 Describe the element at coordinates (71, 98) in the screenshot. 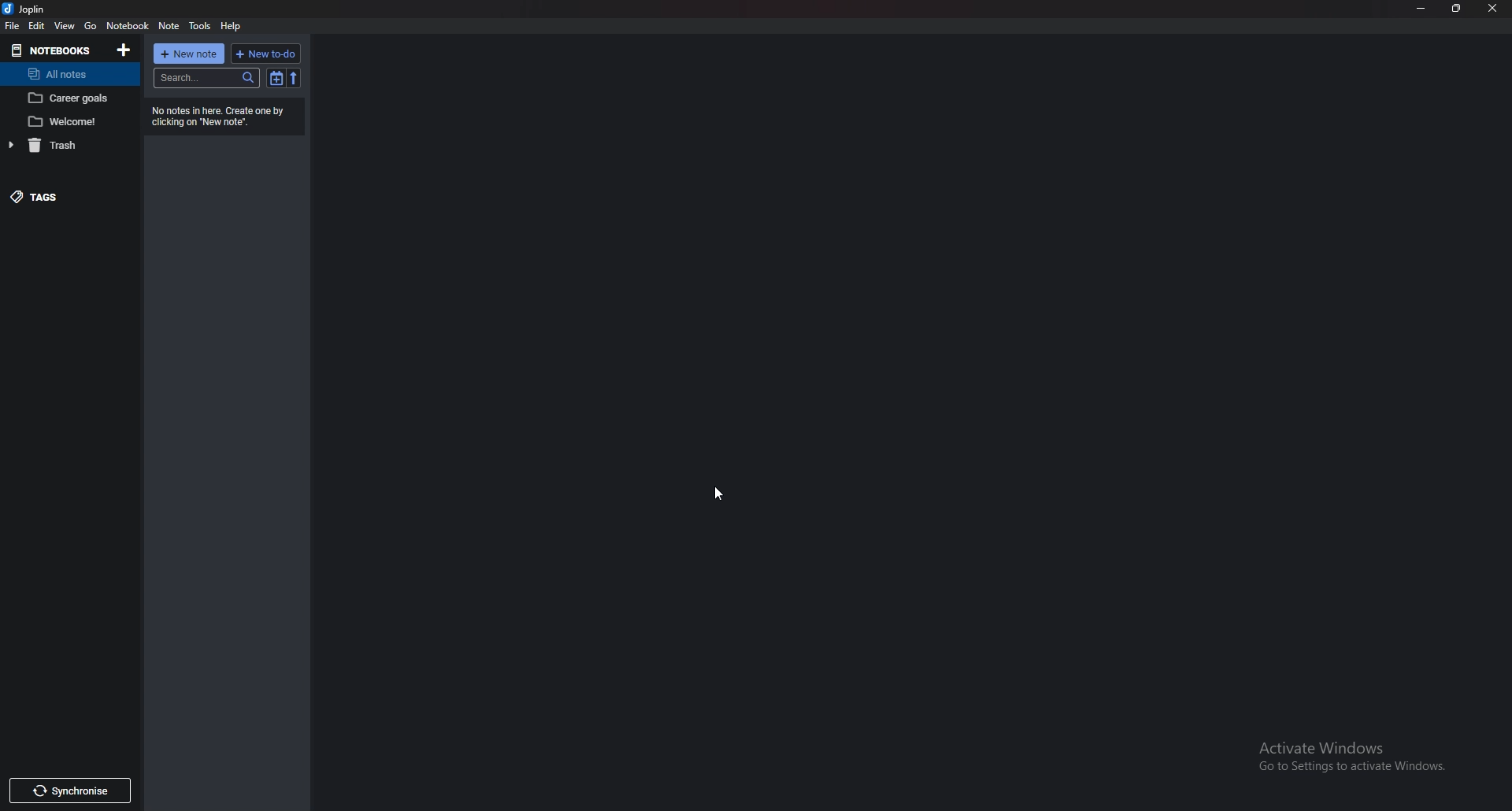

I see `note` at that location.